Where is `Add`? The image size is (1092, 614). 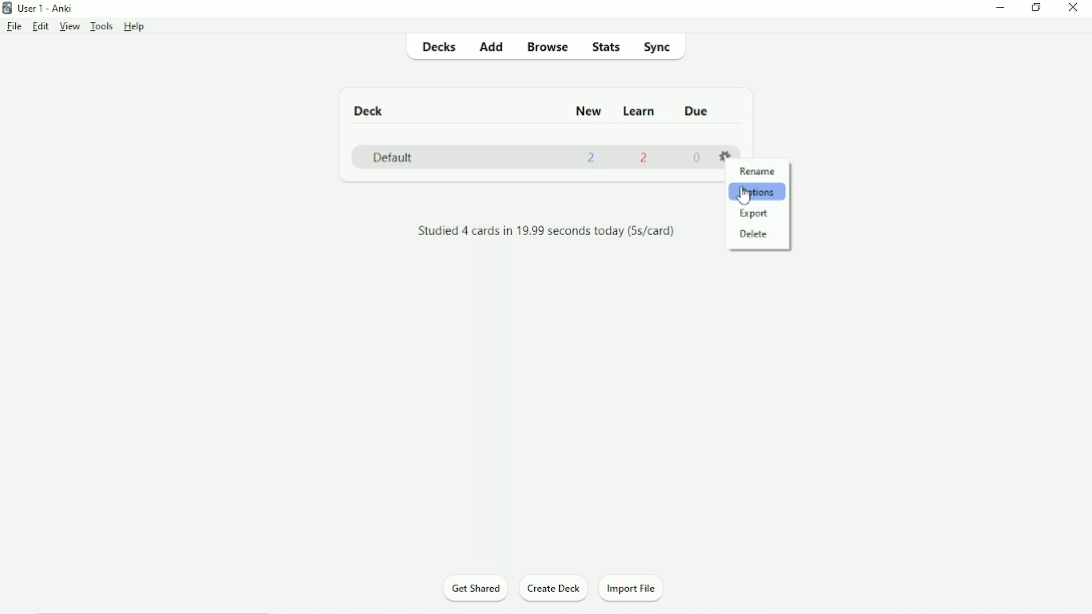 Add is located at coordinates (489, 46).